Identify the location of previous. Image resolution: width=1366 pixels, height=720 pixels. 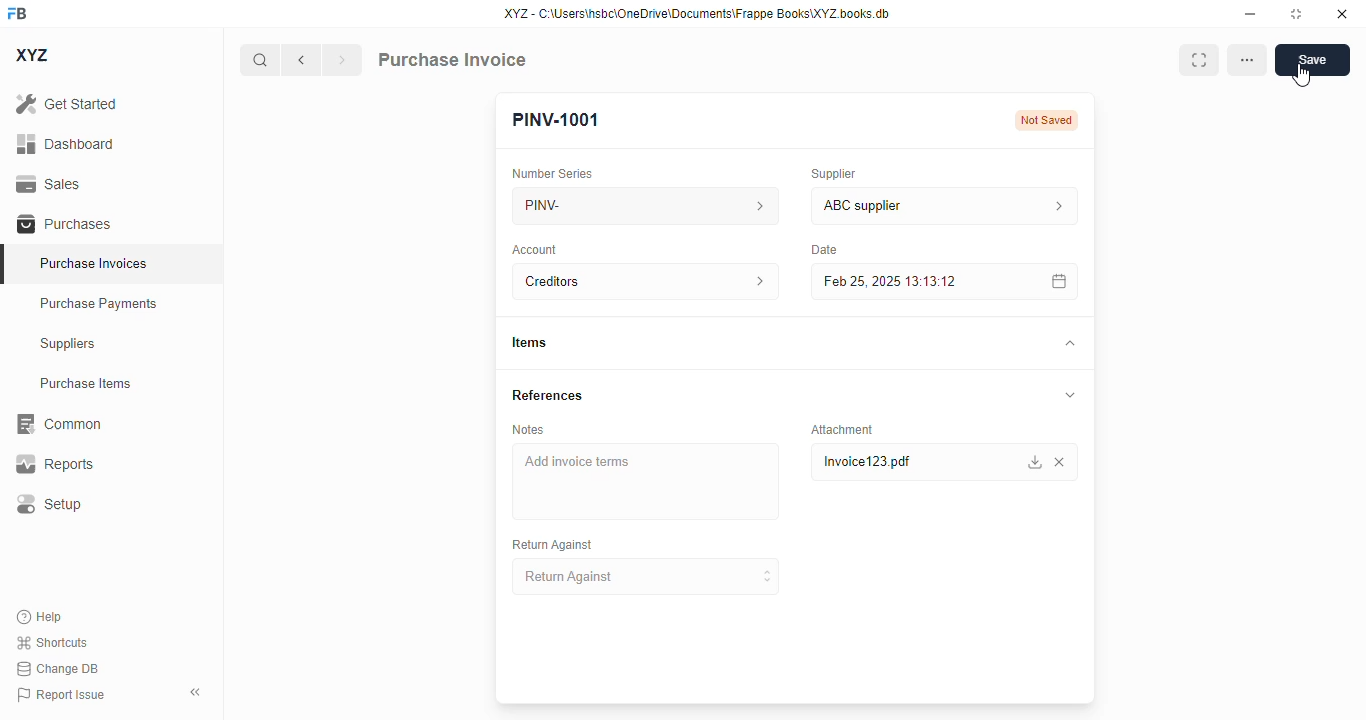
(301, 60).